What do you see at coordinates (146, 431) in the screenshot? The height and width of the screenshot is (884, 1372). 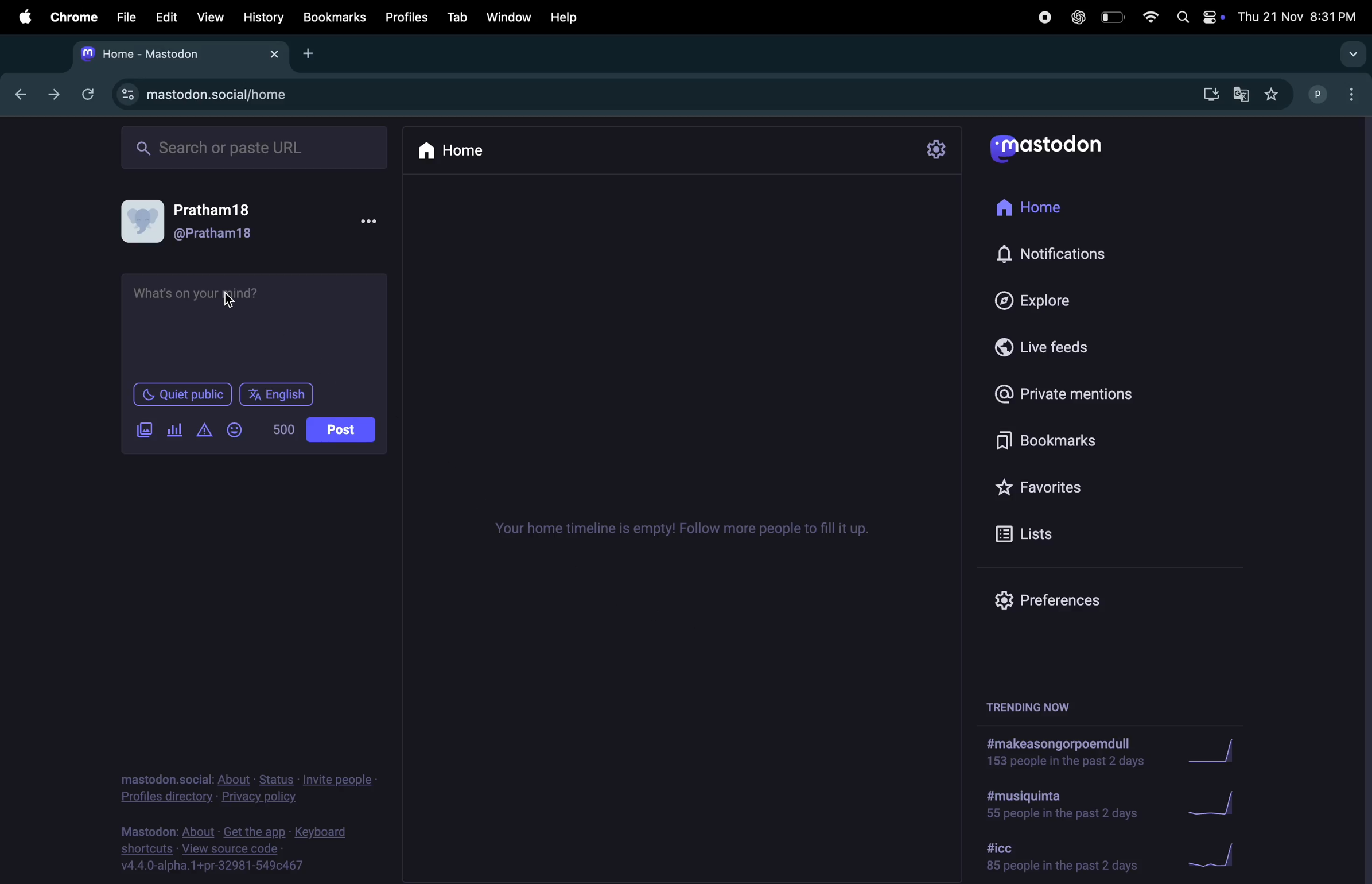 I see `add image` at bounding box center [146, 431].